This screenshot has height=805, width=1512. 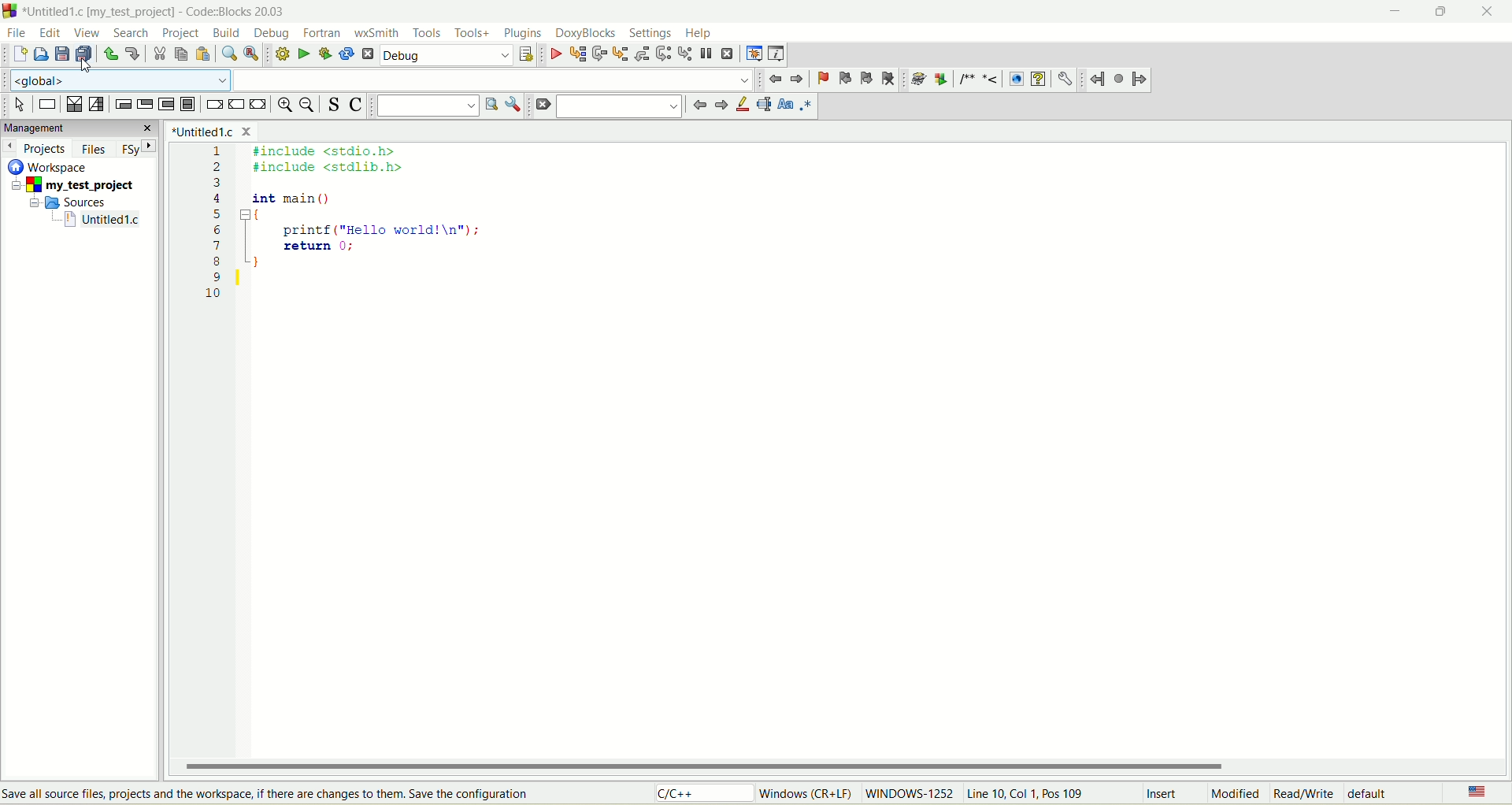 I want to click on workspace, so click(x=50, y=167).